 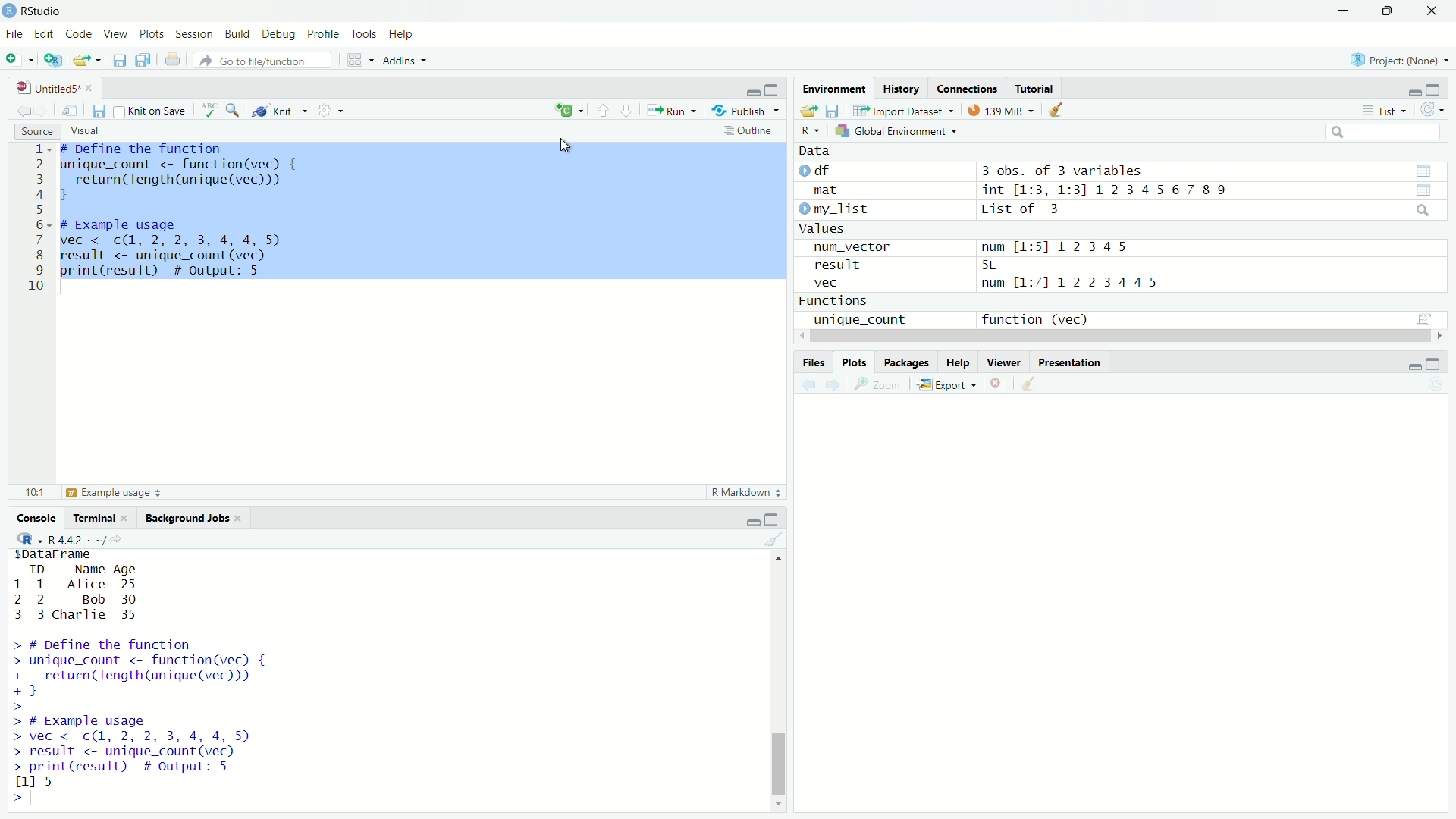 What do you see at coordinates (1037, 90) in the screenshot?
I see `tutorial` at bounding box center [1037, 90].